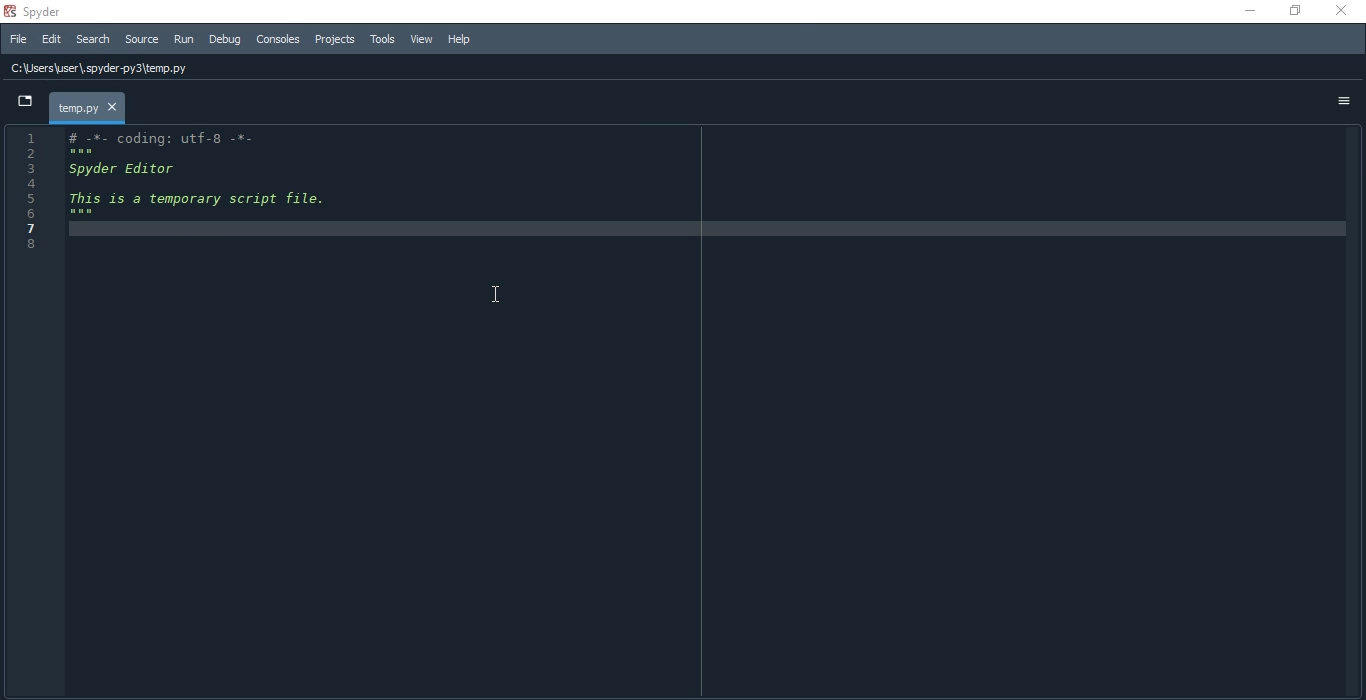 The height and width of the screenshot is (700, 1366). What do you see at coordinates (176, 198) in the screenshot?
I see `5 This 1s a temporary script file.` at bounding box center [176, 198].